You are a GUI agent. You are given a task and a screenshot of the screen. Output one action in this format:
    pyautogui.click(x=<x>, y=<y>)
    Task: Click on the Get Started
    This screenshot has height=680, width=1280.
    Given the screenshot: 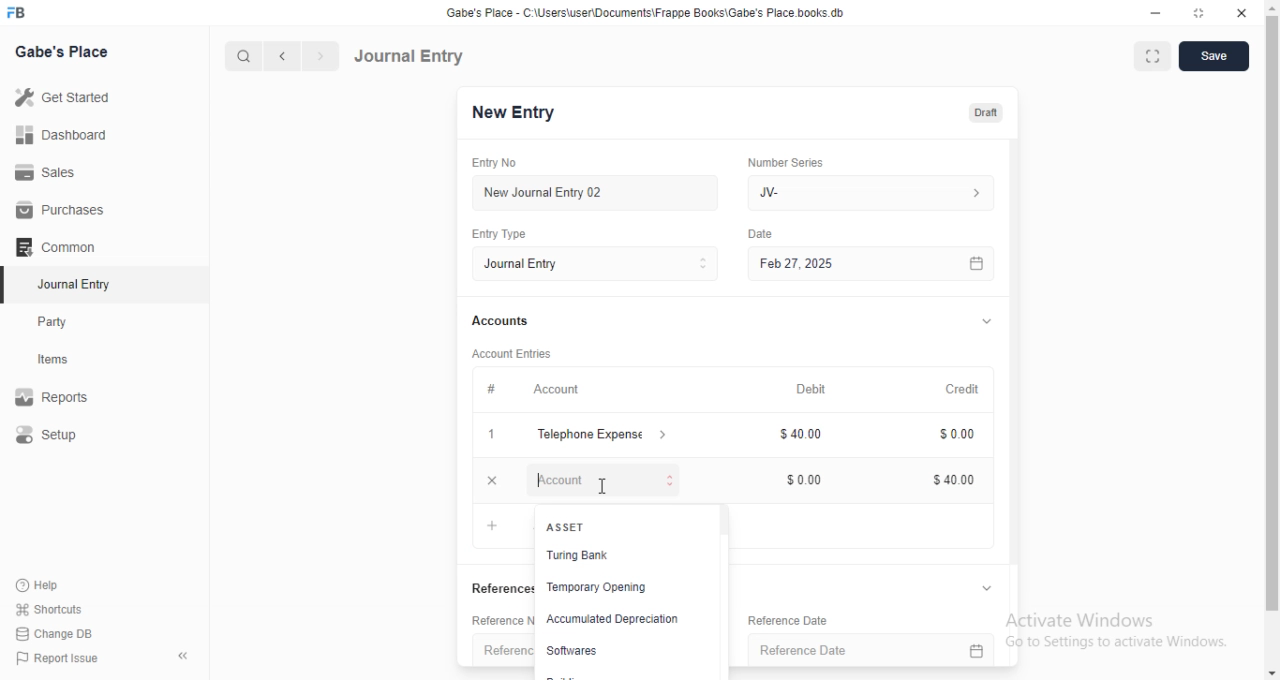 What is the action you would take?
    pyautogui.click(x=66, y=97)
    